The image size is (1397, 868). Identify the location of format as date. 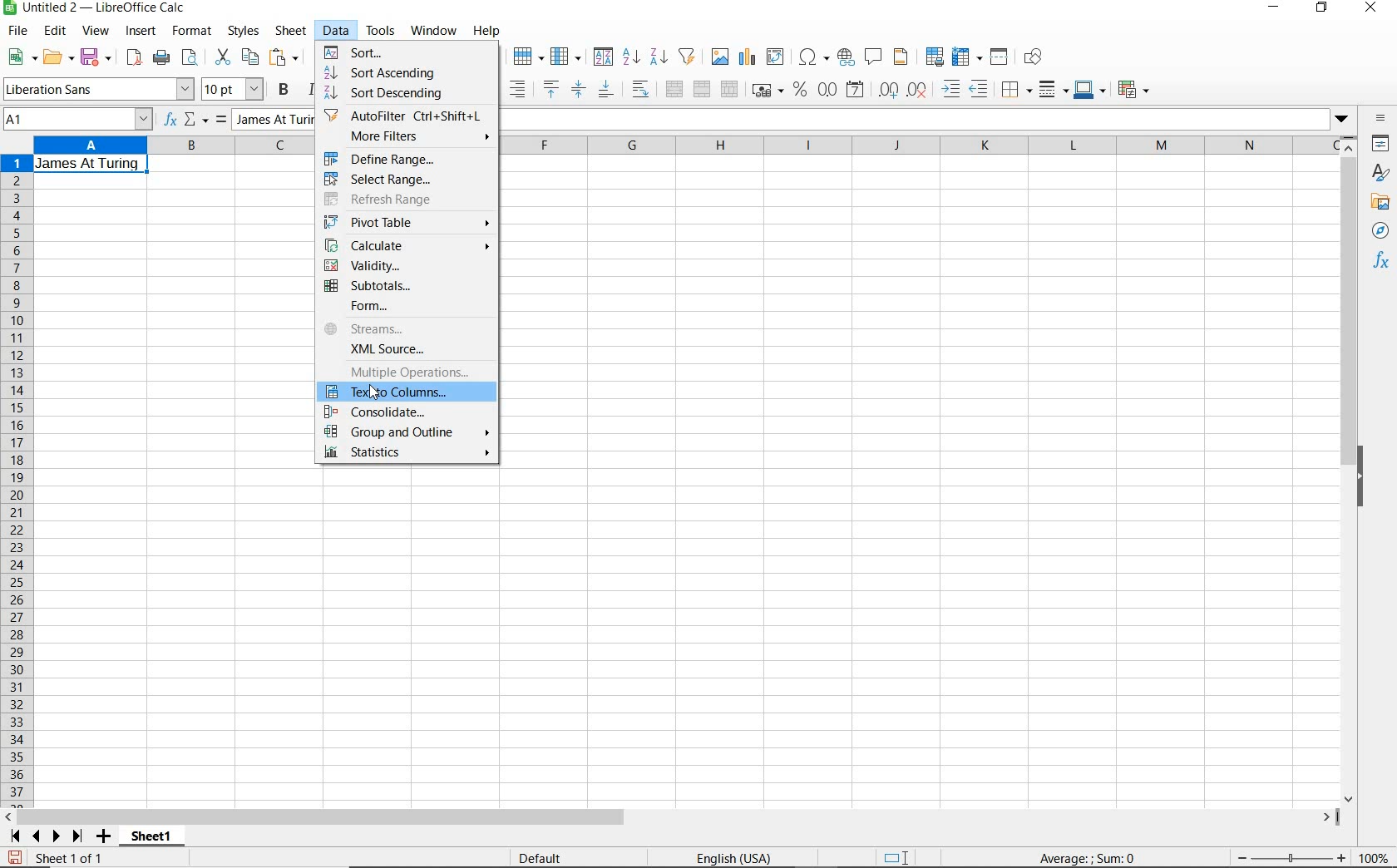
(856, 91).